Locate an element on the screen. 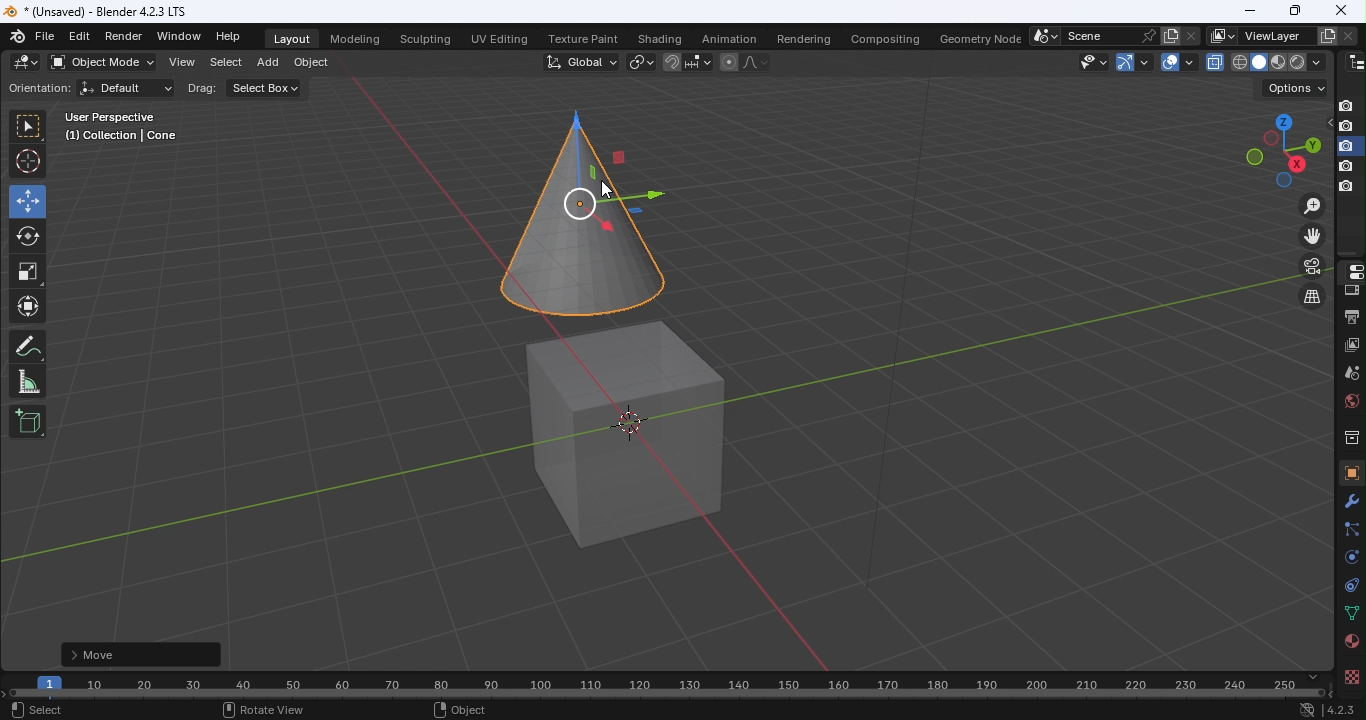 The width and height of the screenshot is (1366, 720). Modifiers is located at coordinates (1352, 500).